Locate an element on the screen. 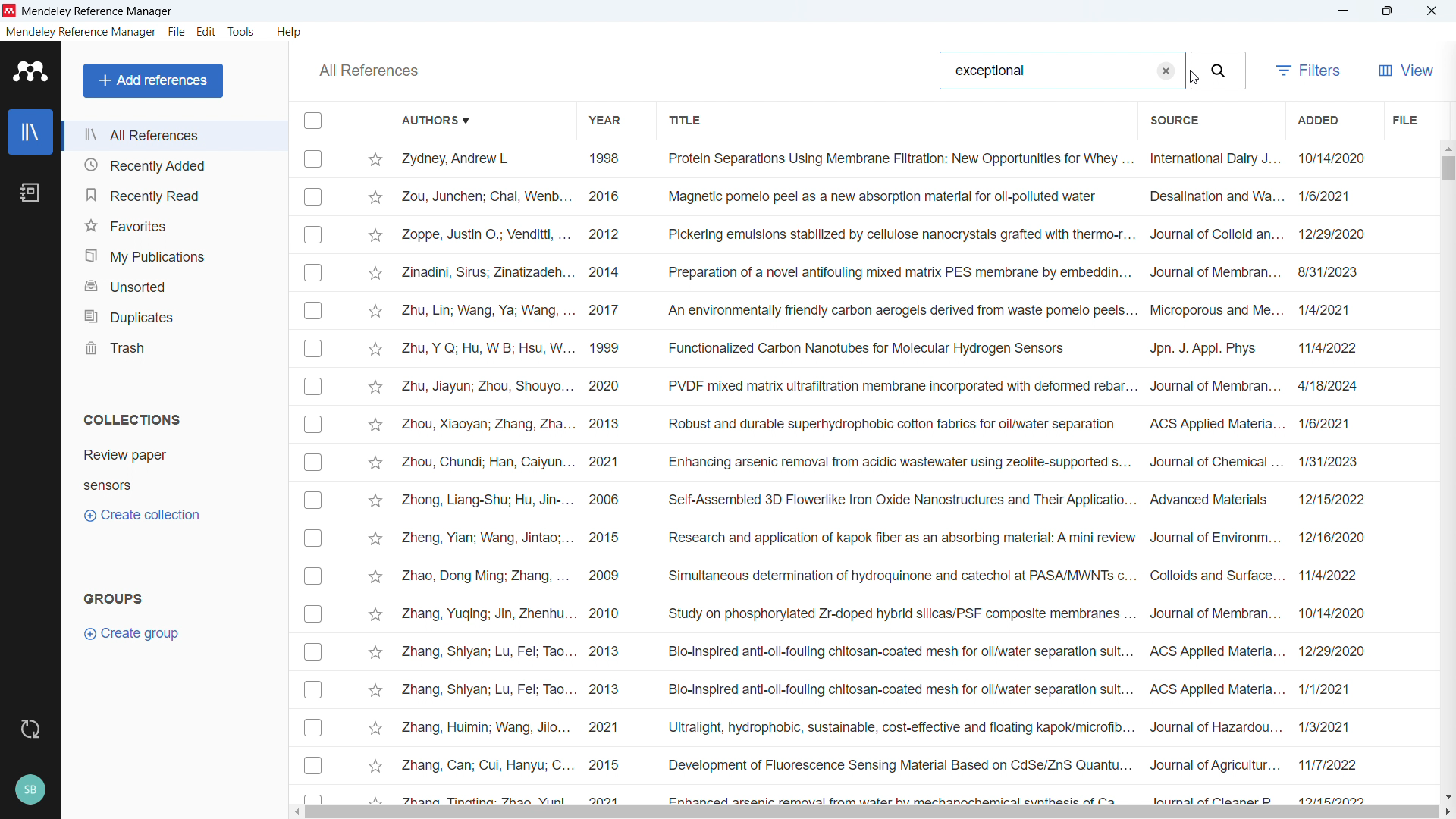 The image size is (1456, 819). Create collection  is located at coordinates (141, 515).